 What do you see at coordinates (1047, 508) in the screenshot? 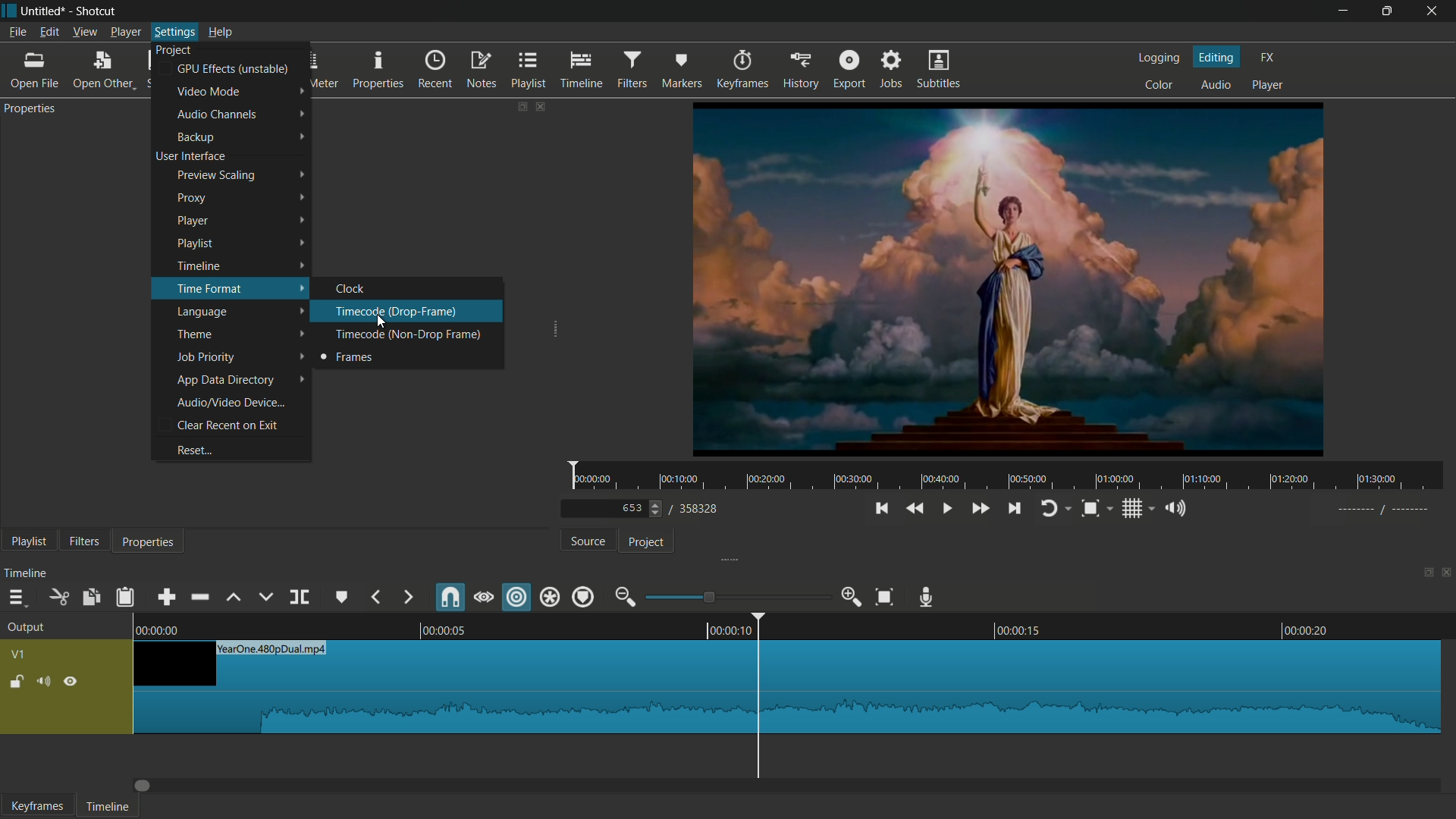
I see `toggle player looping` at bounding box center [1047, 508].